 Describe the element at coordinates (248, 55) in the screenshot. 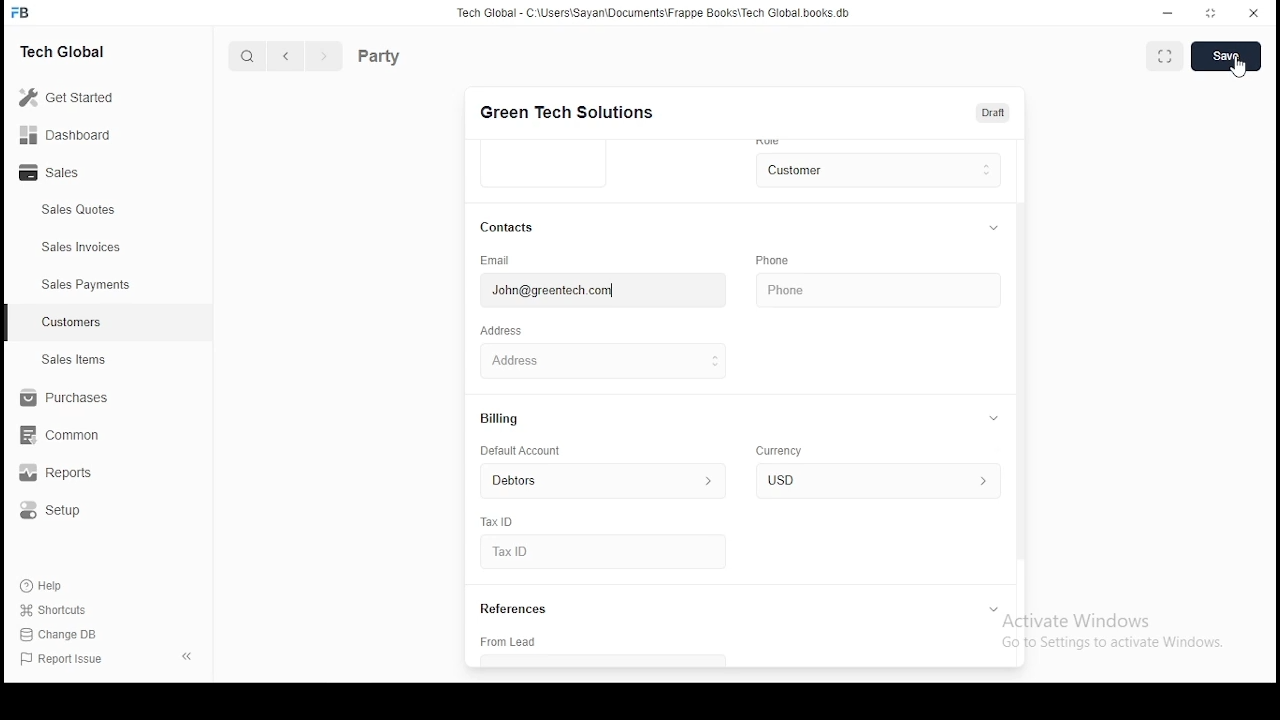

I see `search` at that location.